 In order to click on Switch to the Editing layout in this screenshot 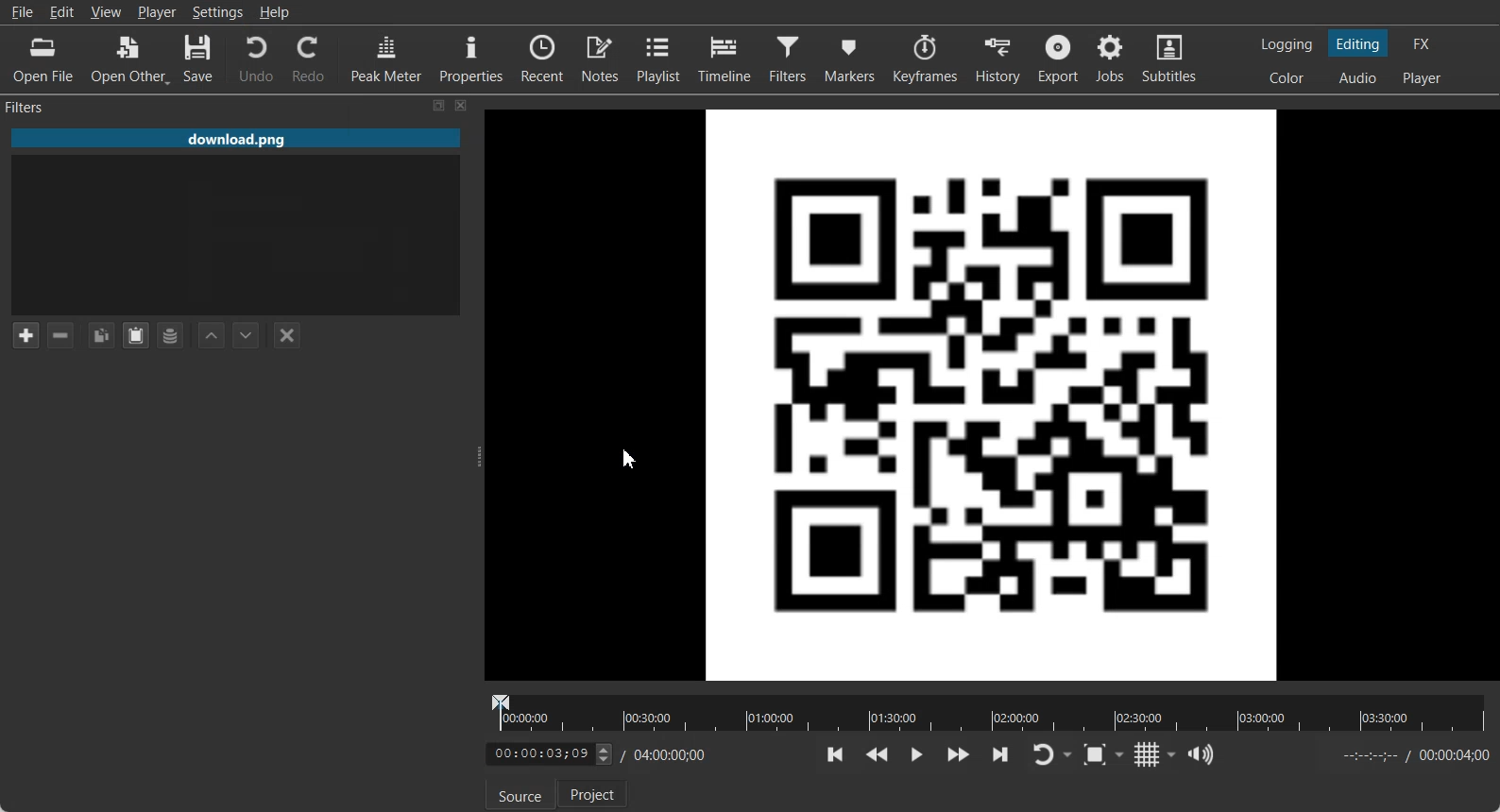, I will do `click(1359, 43)`.